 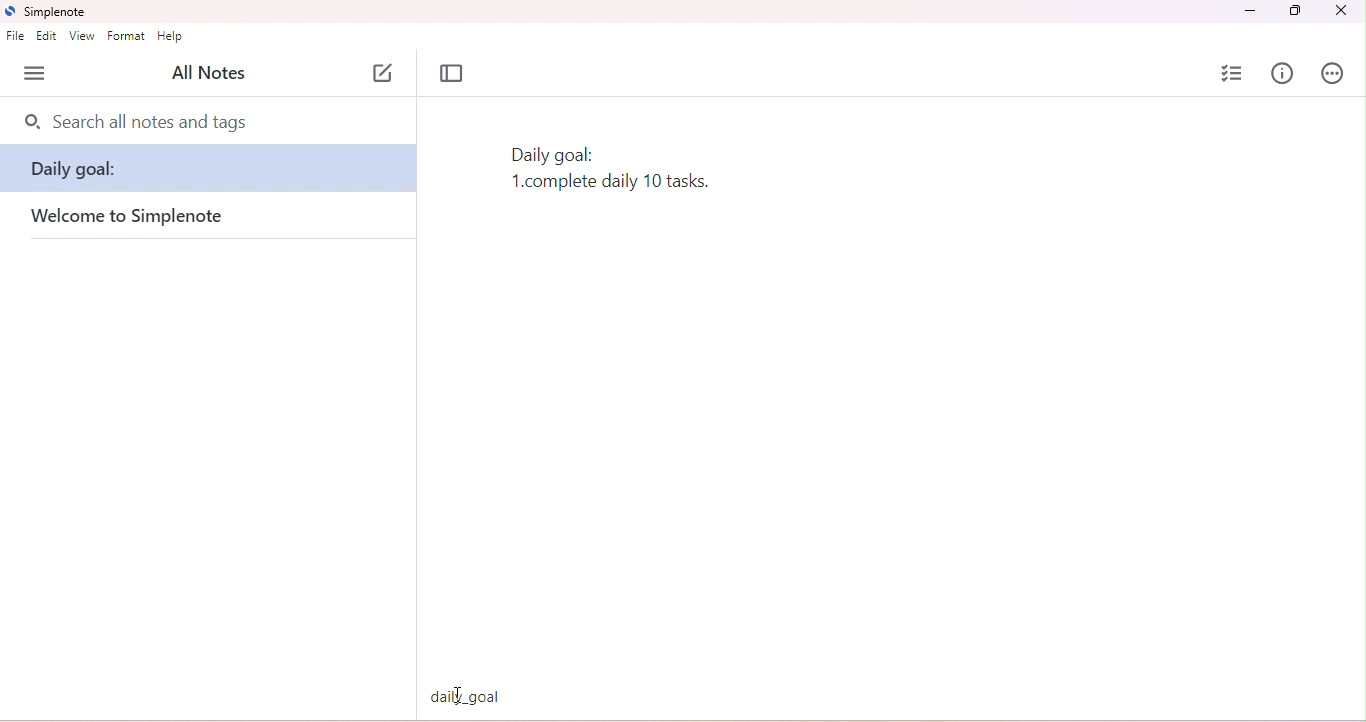 What do you see at coordinates (208, 72) in the screenshot?
I see `all notes` at bounding box center [208, 72].